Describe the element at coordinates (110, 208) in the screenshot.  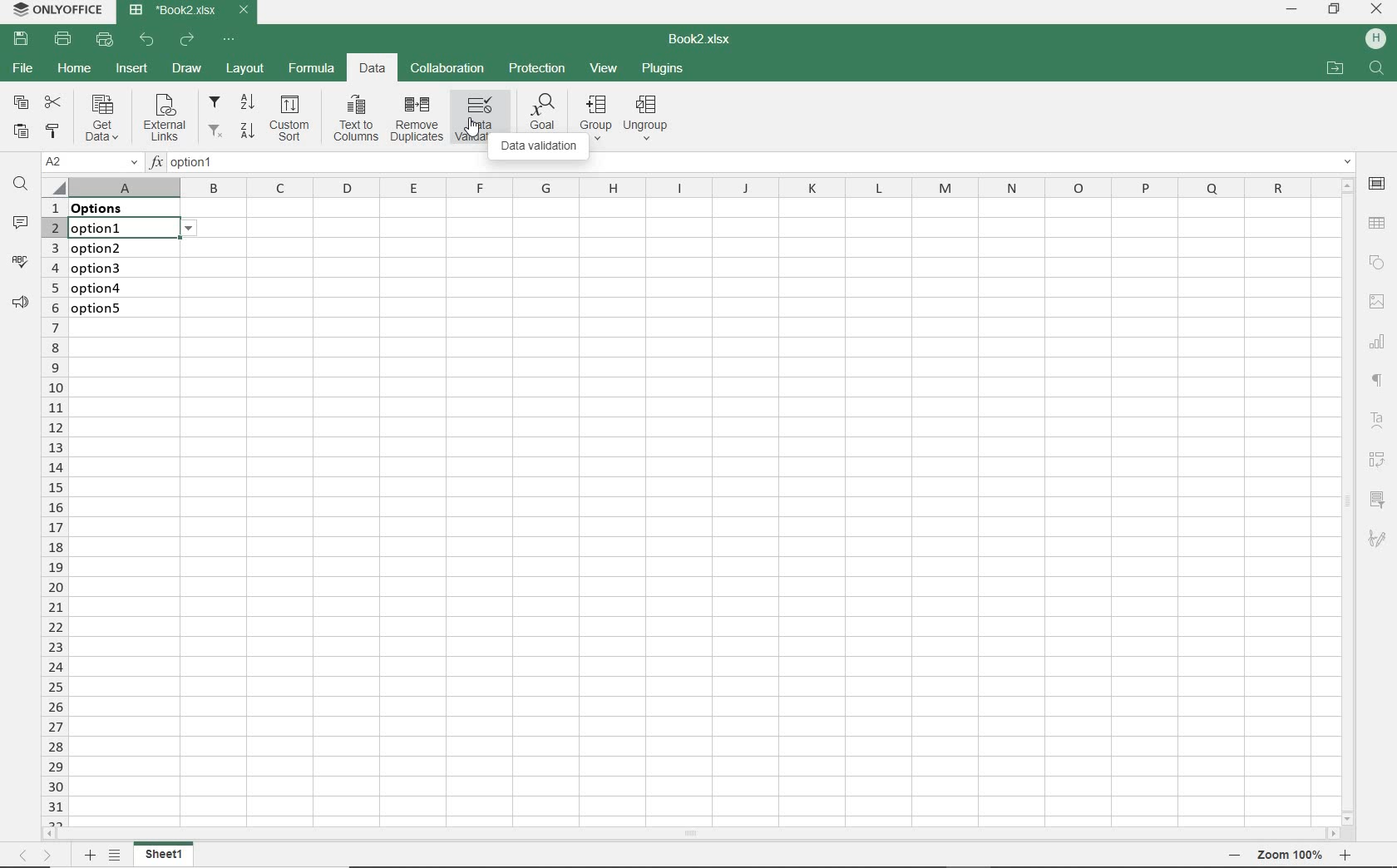
I see `data` at that location.